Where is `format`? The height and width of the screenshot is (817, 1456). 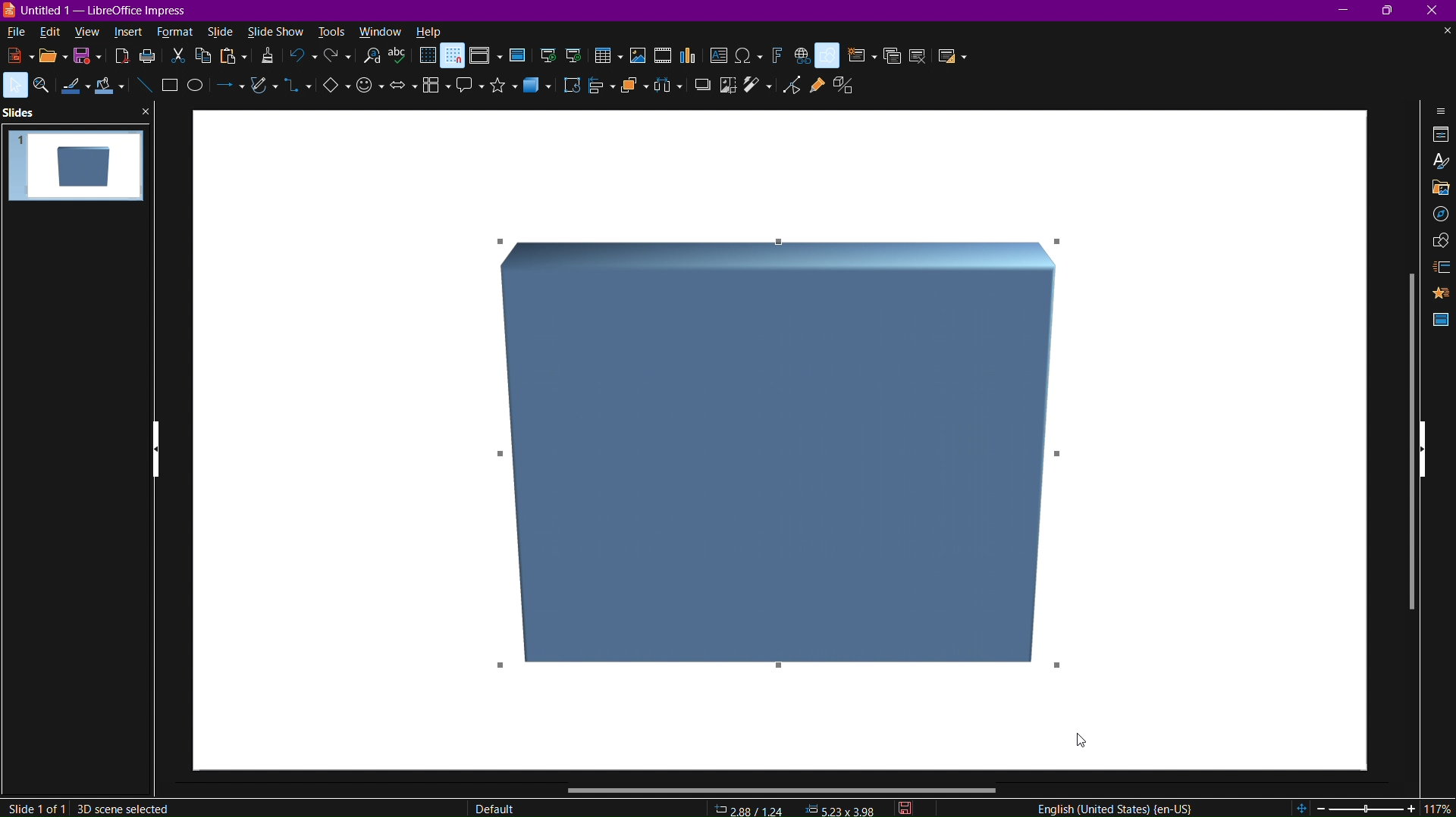
format is located at coordinates (179, 32).